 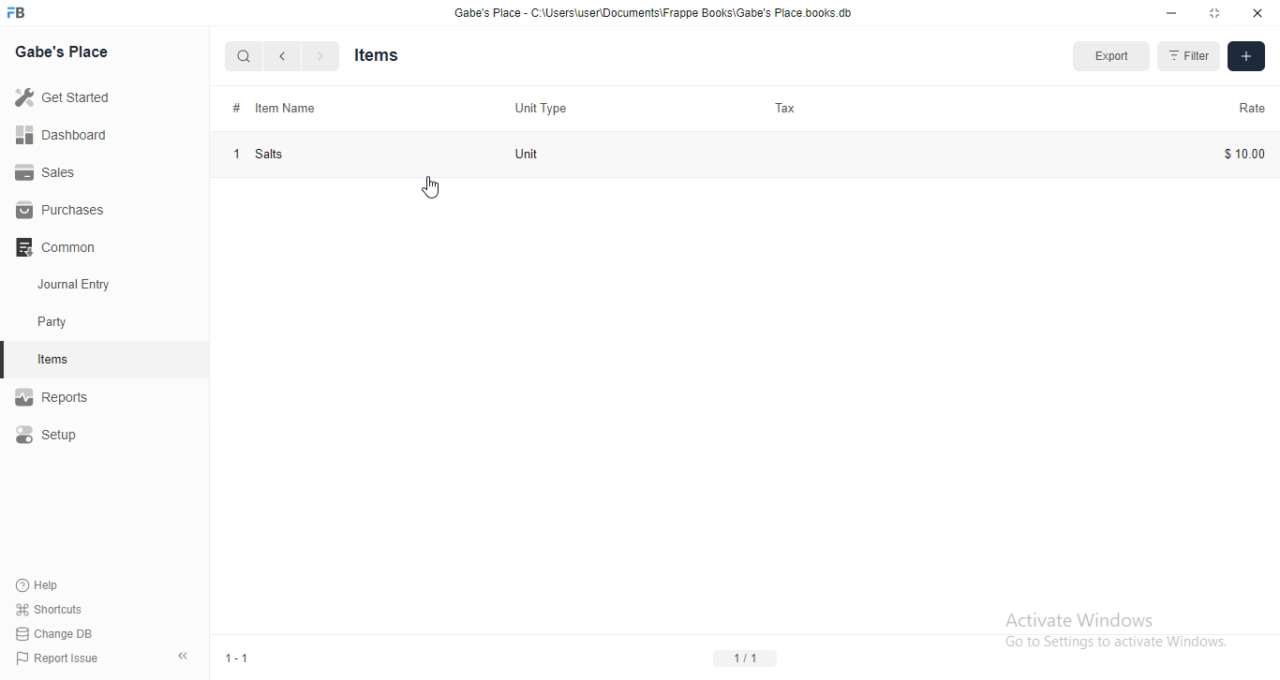 I want to click on 1, so click(x=235, y=153).